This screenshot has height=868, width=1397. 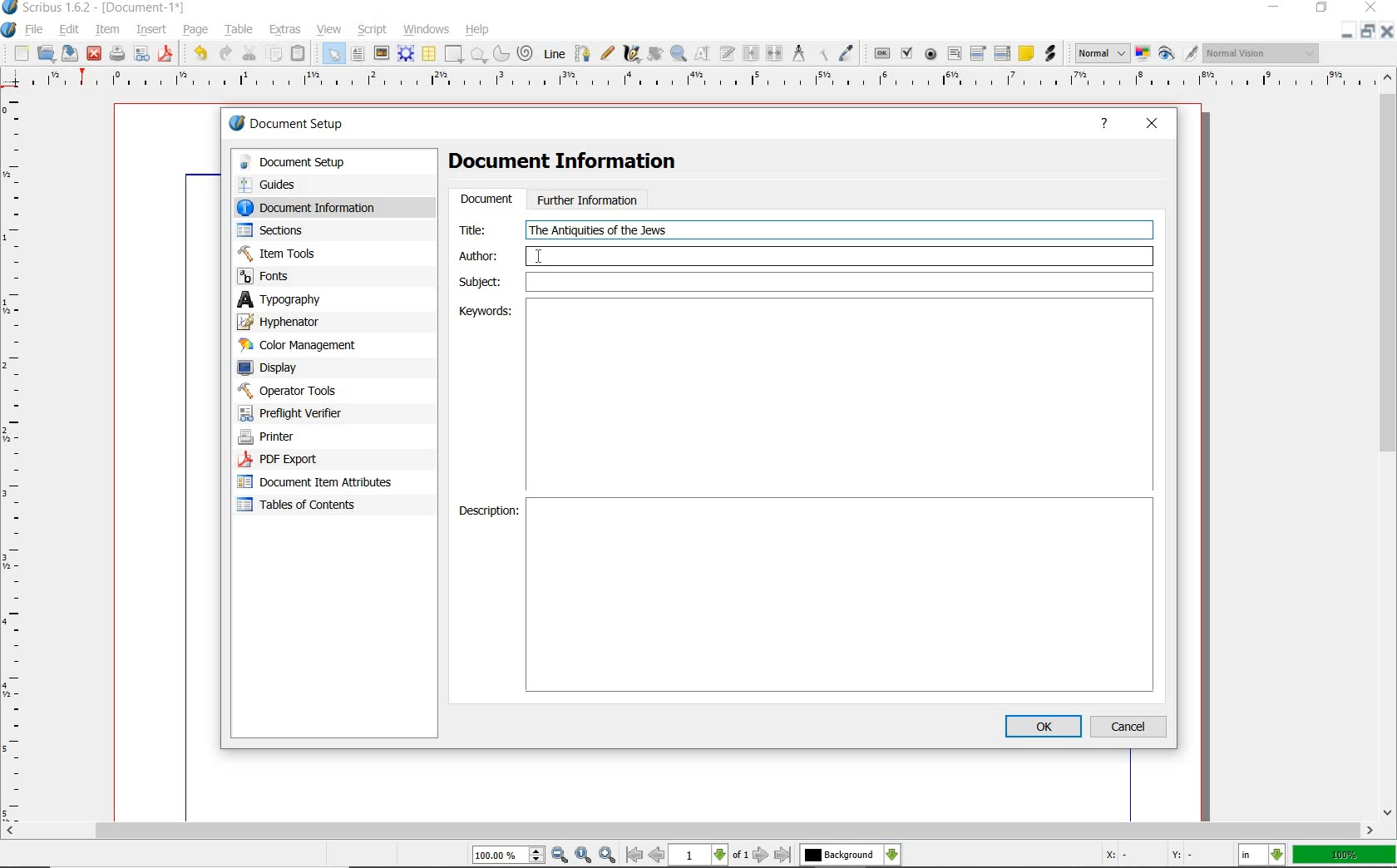 I want to click on new, so click(x=20, y=53).